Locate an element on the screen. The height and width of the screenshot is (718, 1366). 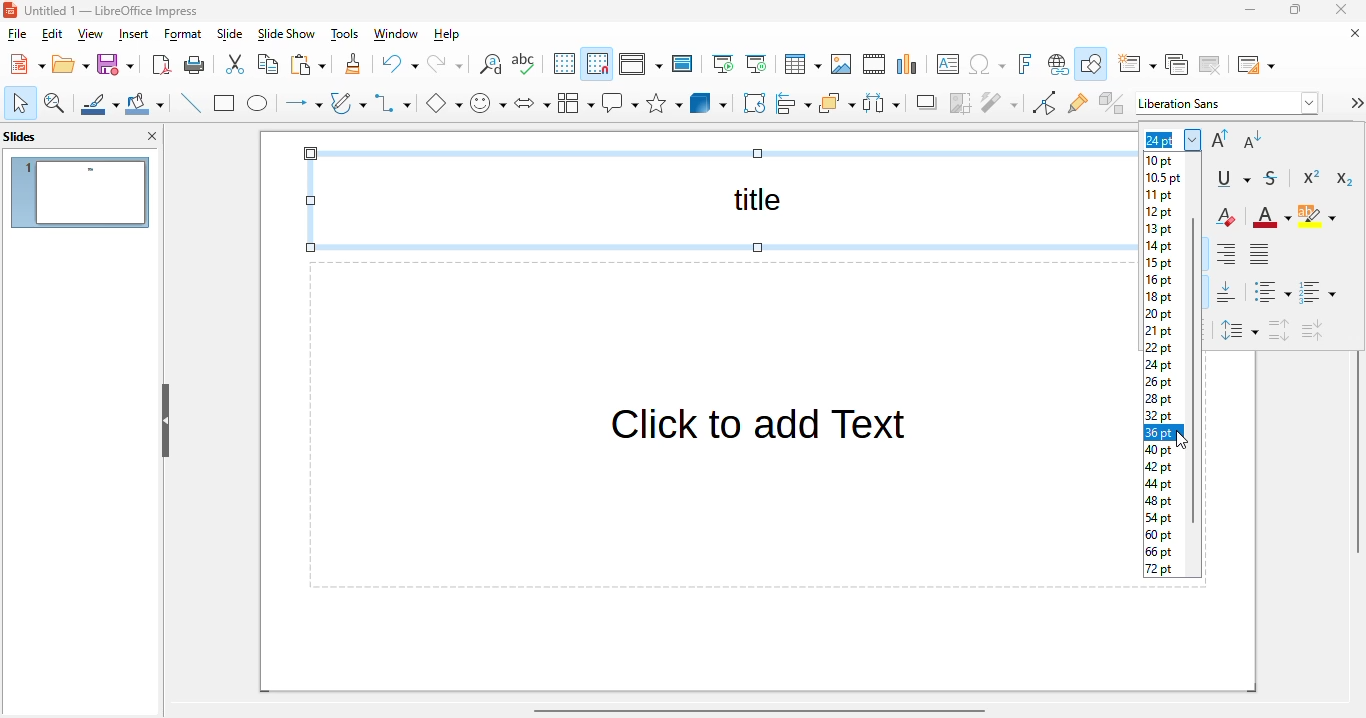
increase font size is located at coordinates (1219, 139).